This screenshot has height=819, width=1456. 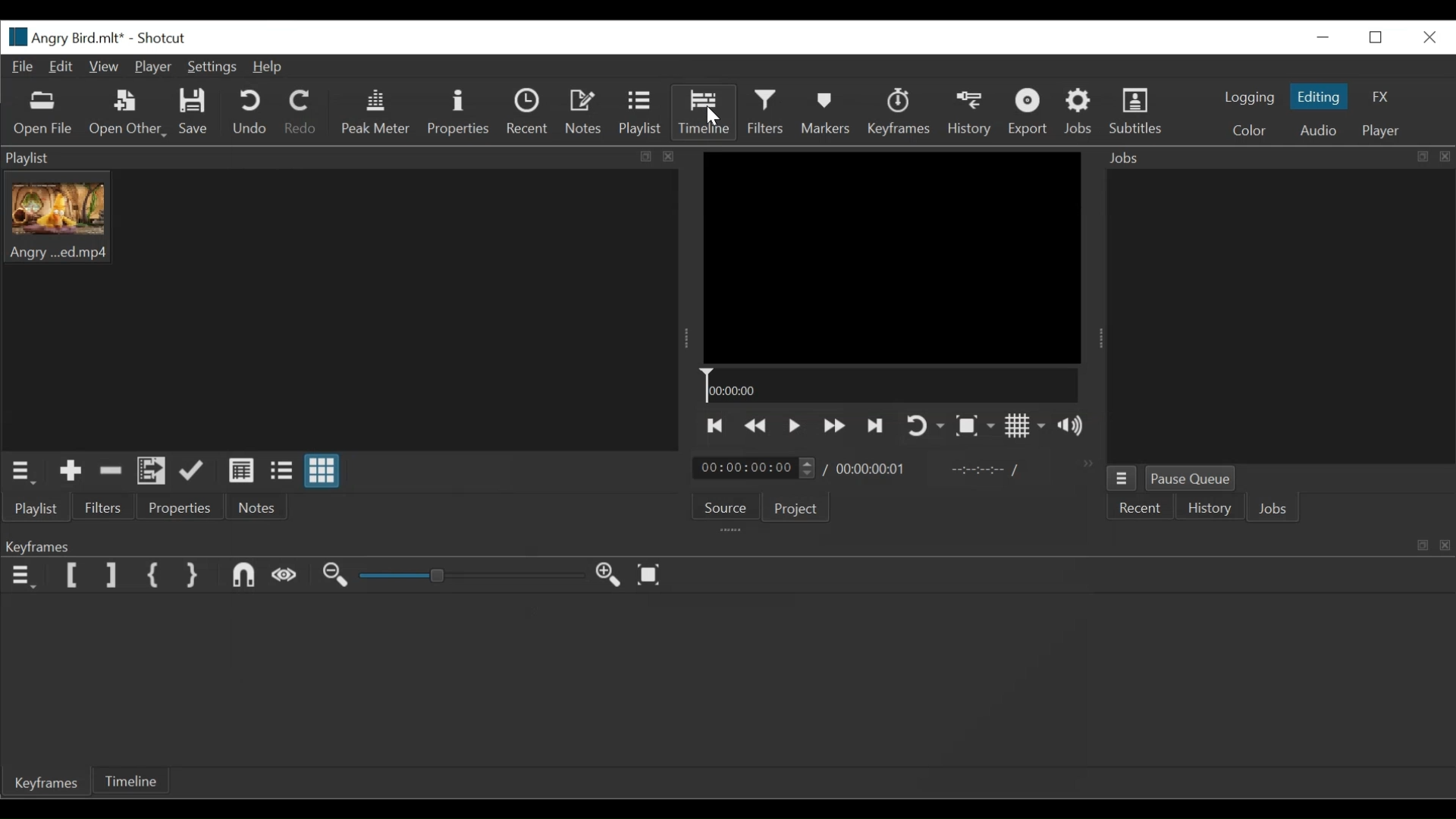 I want to click on Open Other, so click(x=127, y=112).